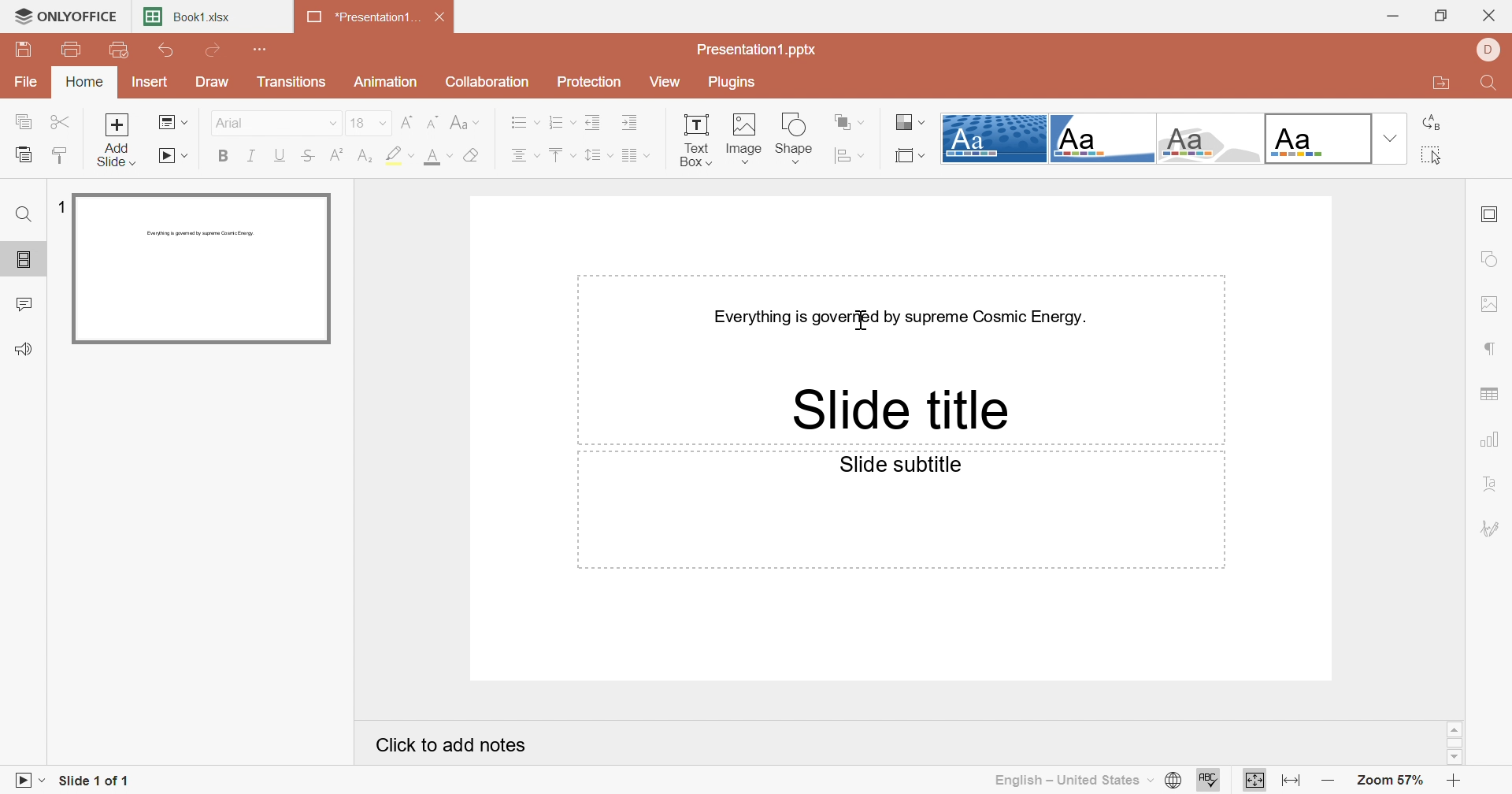 This screenshot has height=794, width=1512. Describe the element at coordinates (24, 154) in the screenshot. I see `paste` at that location.